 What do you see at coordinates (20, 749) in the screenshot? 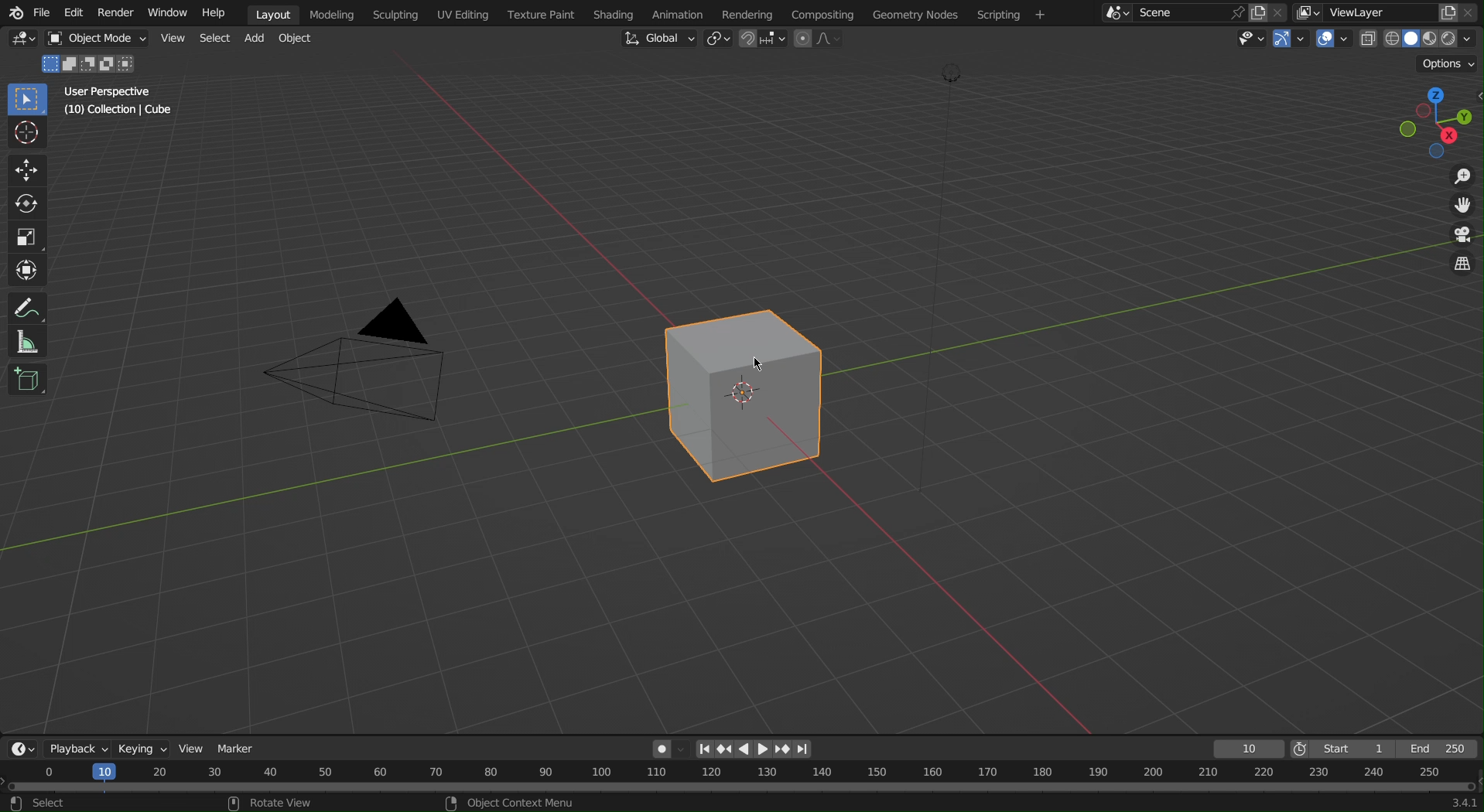
I see `Editor Type` at bounding box center [20, 749].